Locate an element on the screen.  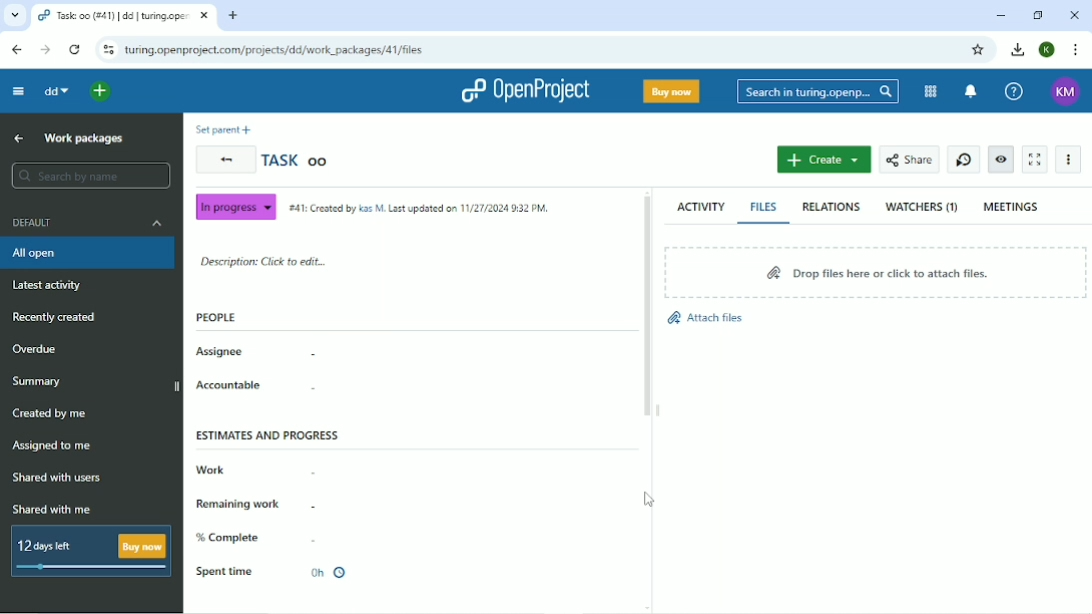
Spent time is located at coordinates (274, 572).